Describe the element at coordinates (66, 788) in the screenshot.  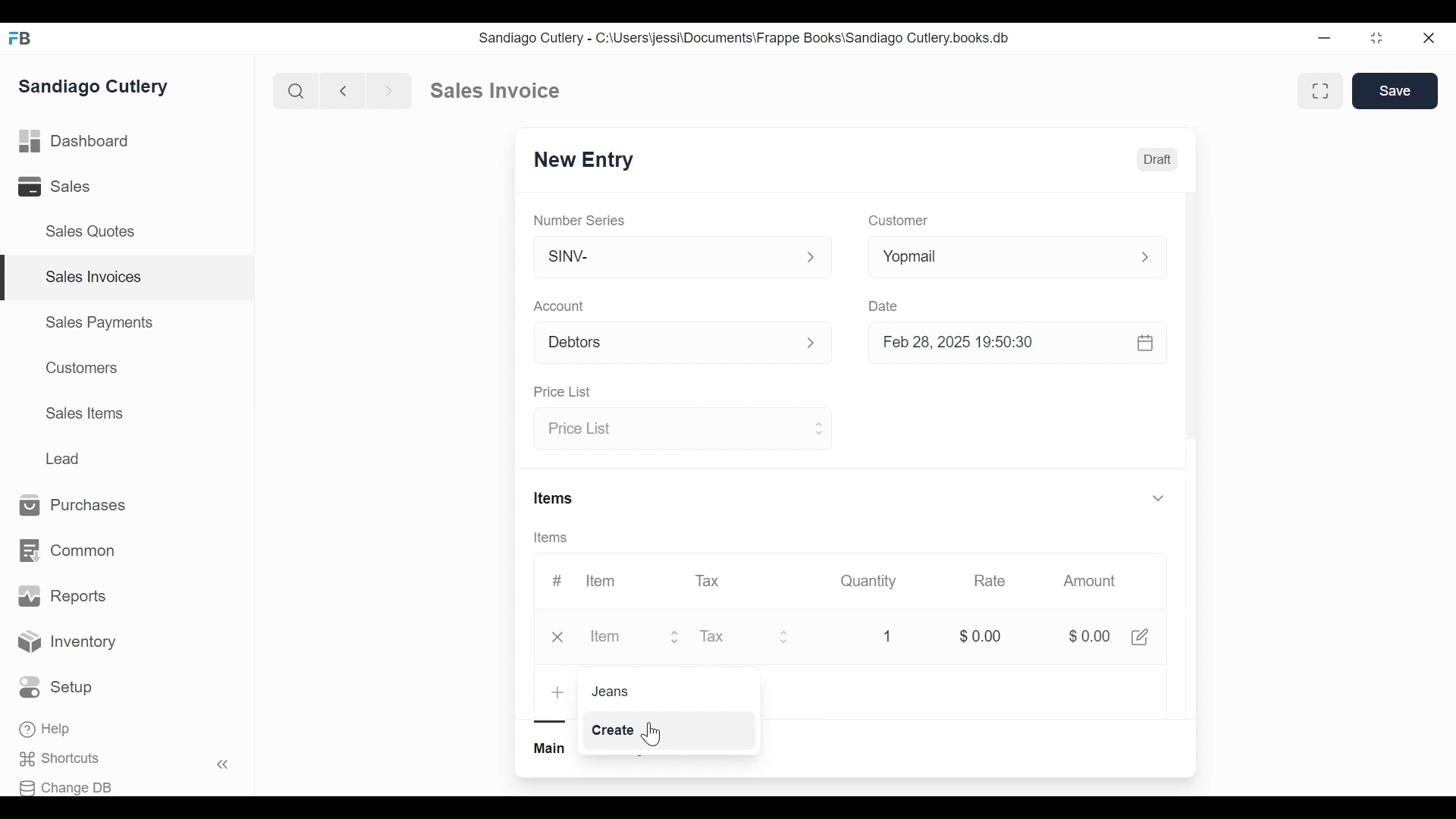
I see `Change DB` at that location.